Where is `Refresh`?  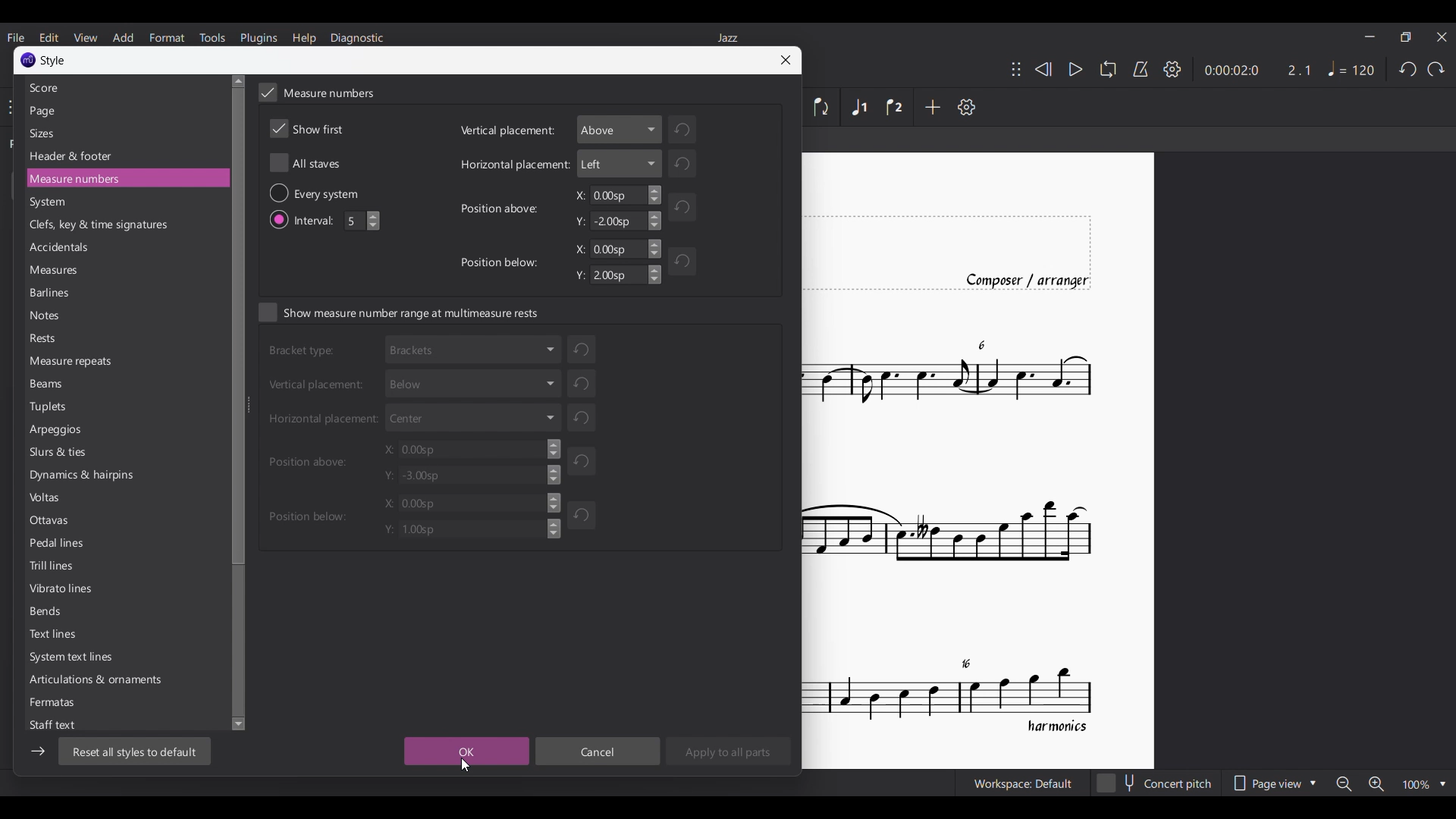
Refresh is located at coordinates (686, 265).